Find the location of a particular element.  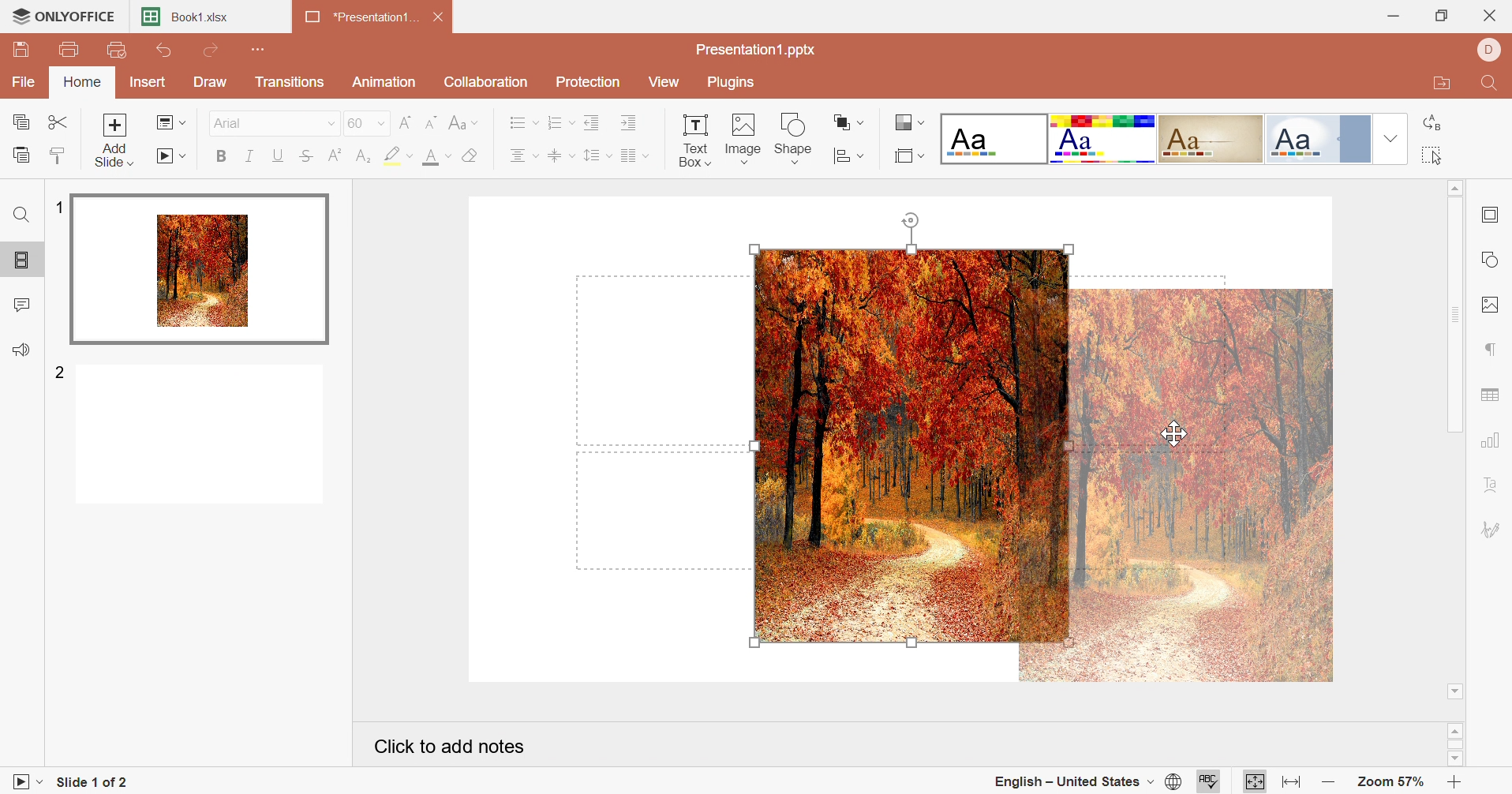

Fit to width is located at coordinates (1291, 782).